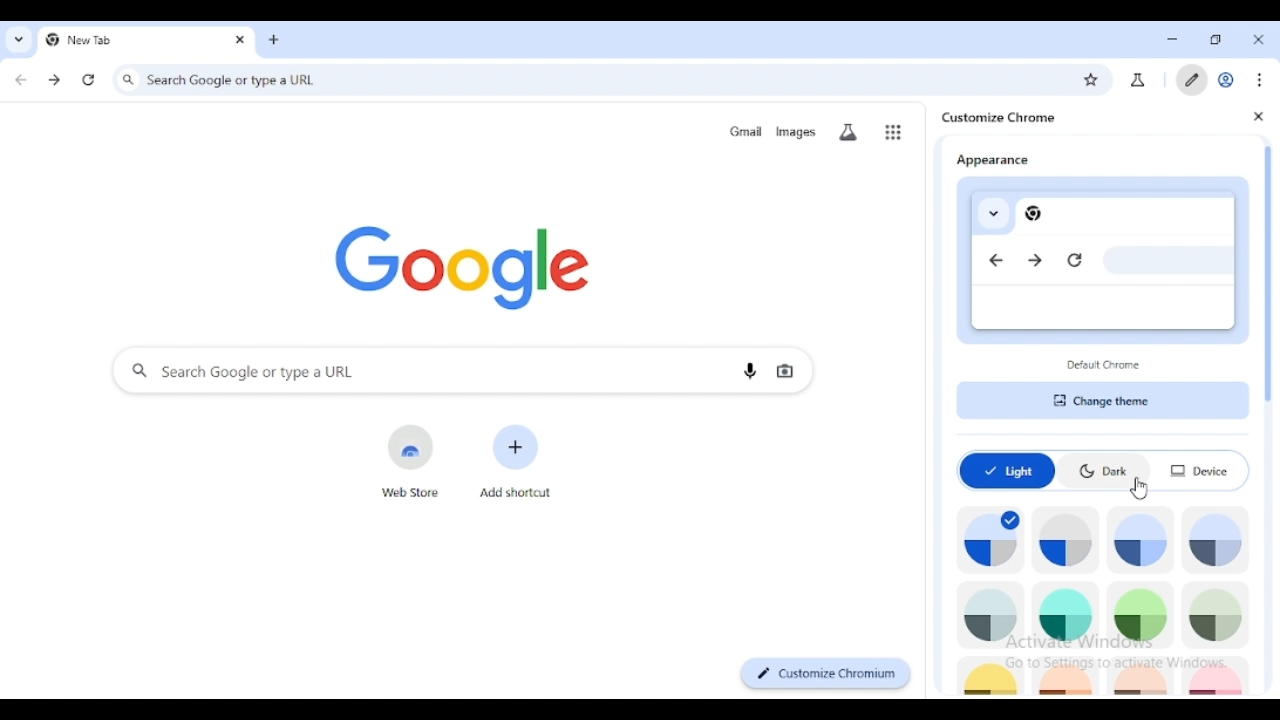  Describe the element at coordinates (1141, 678) in the screenshot. I see `apricot` at that location.